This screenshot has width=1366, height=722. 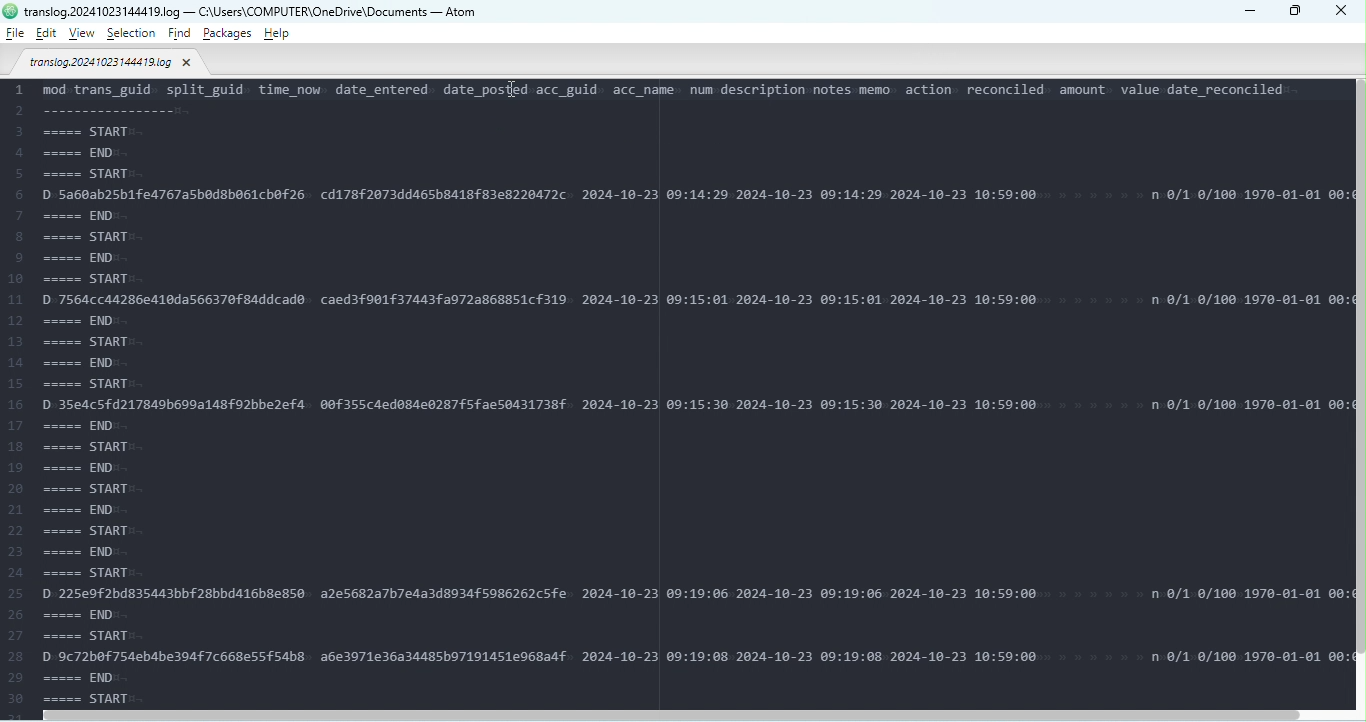 What do you see at coordinates (1358, 396) in the screenshot?
I see `Vertical scroll bar` at bounding box center [1358, 396].